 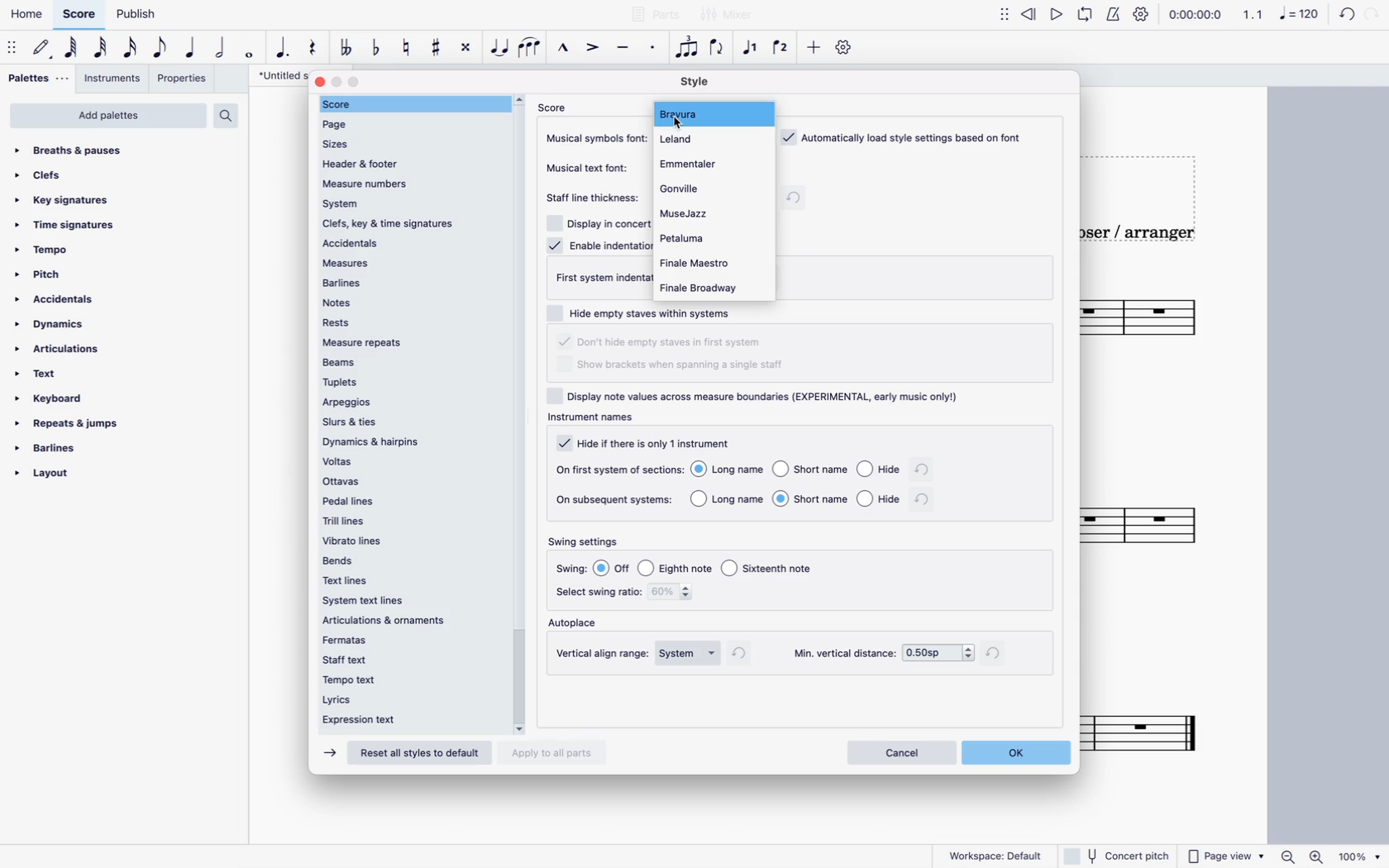 I want to click on Cross, so click(x=465, y=48).